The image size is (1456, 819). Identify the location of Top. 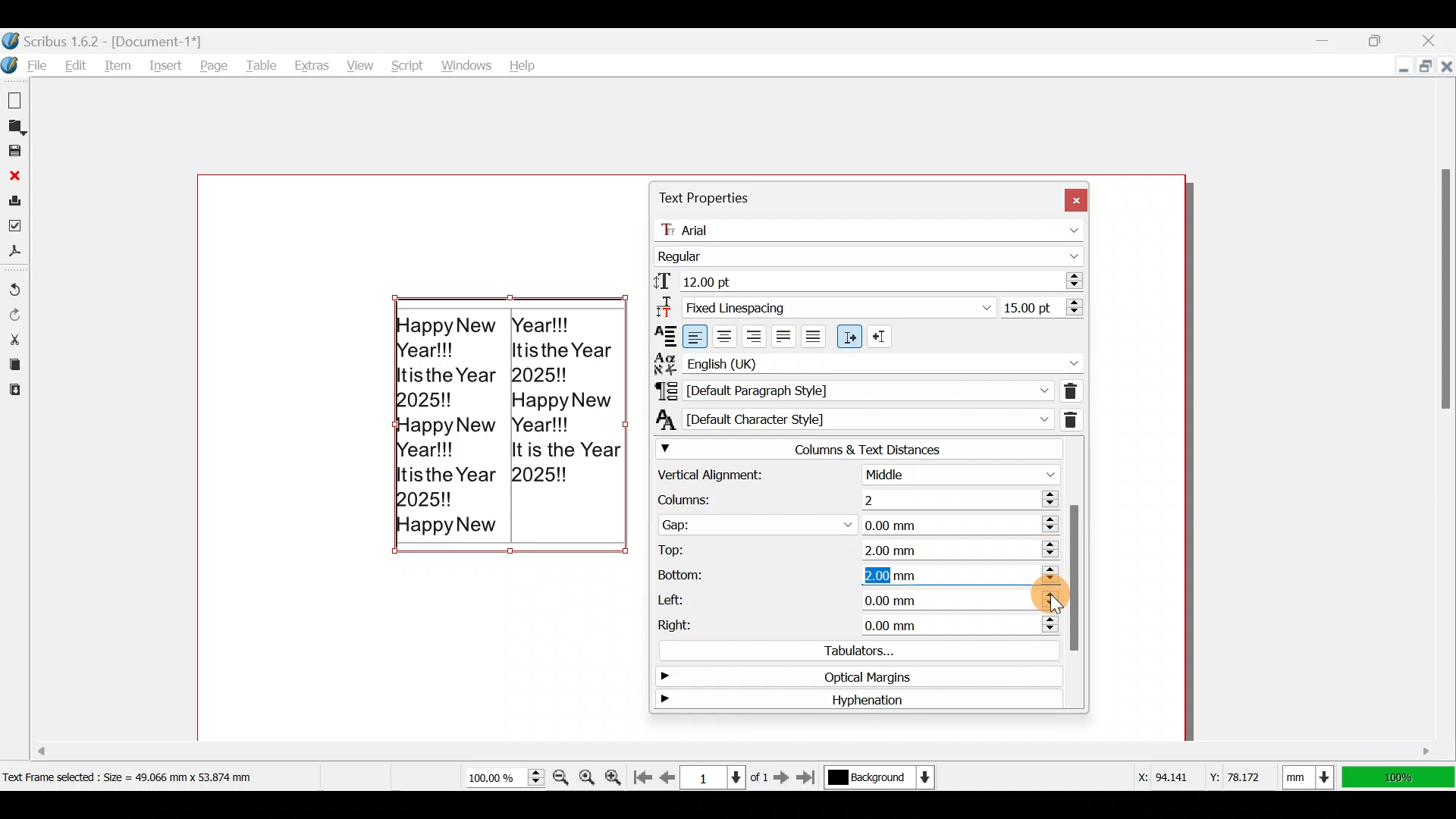
(852, 548).